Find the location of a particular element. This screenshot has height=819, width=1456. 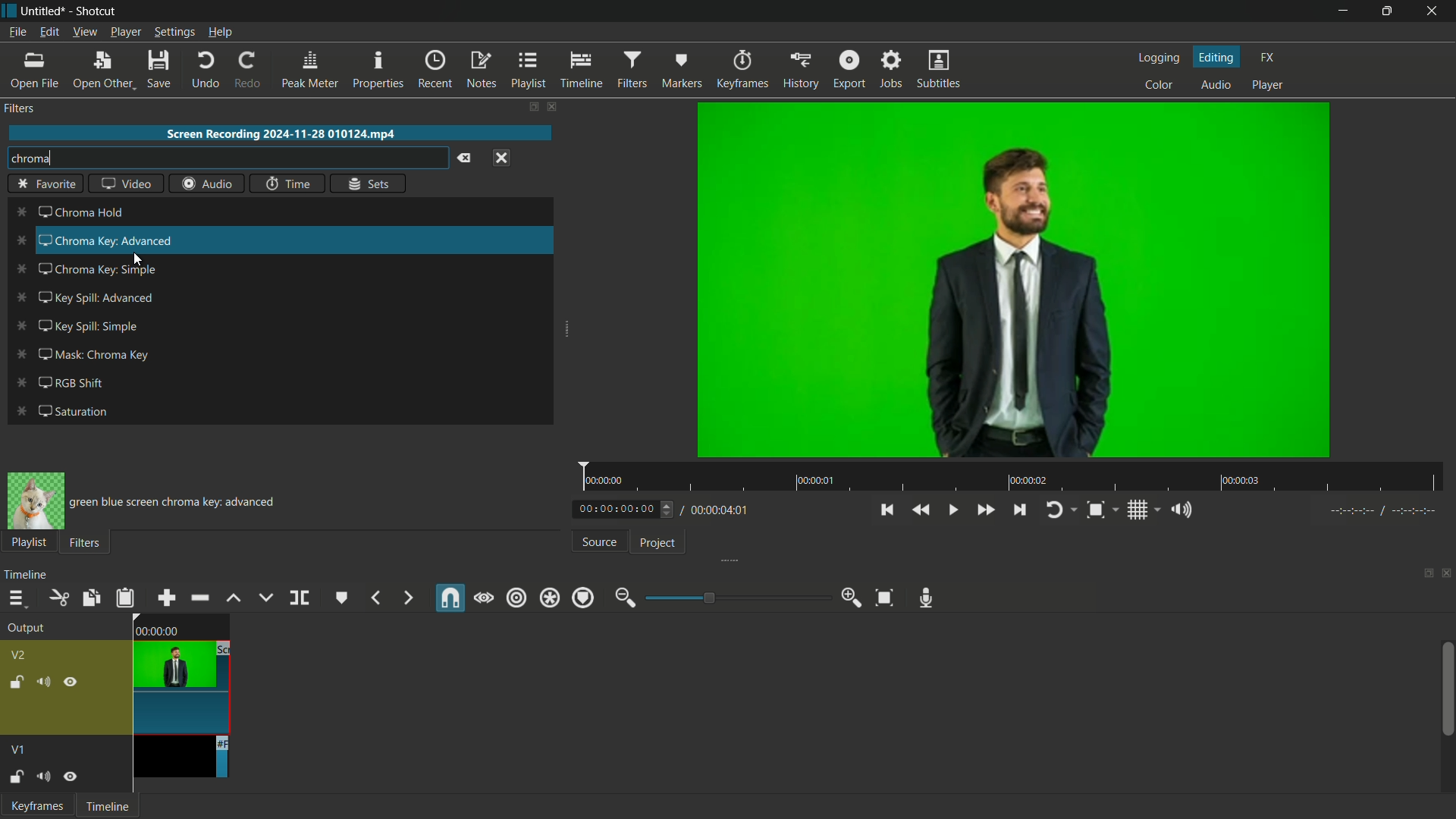

color is located at coordinates (1158, 86).